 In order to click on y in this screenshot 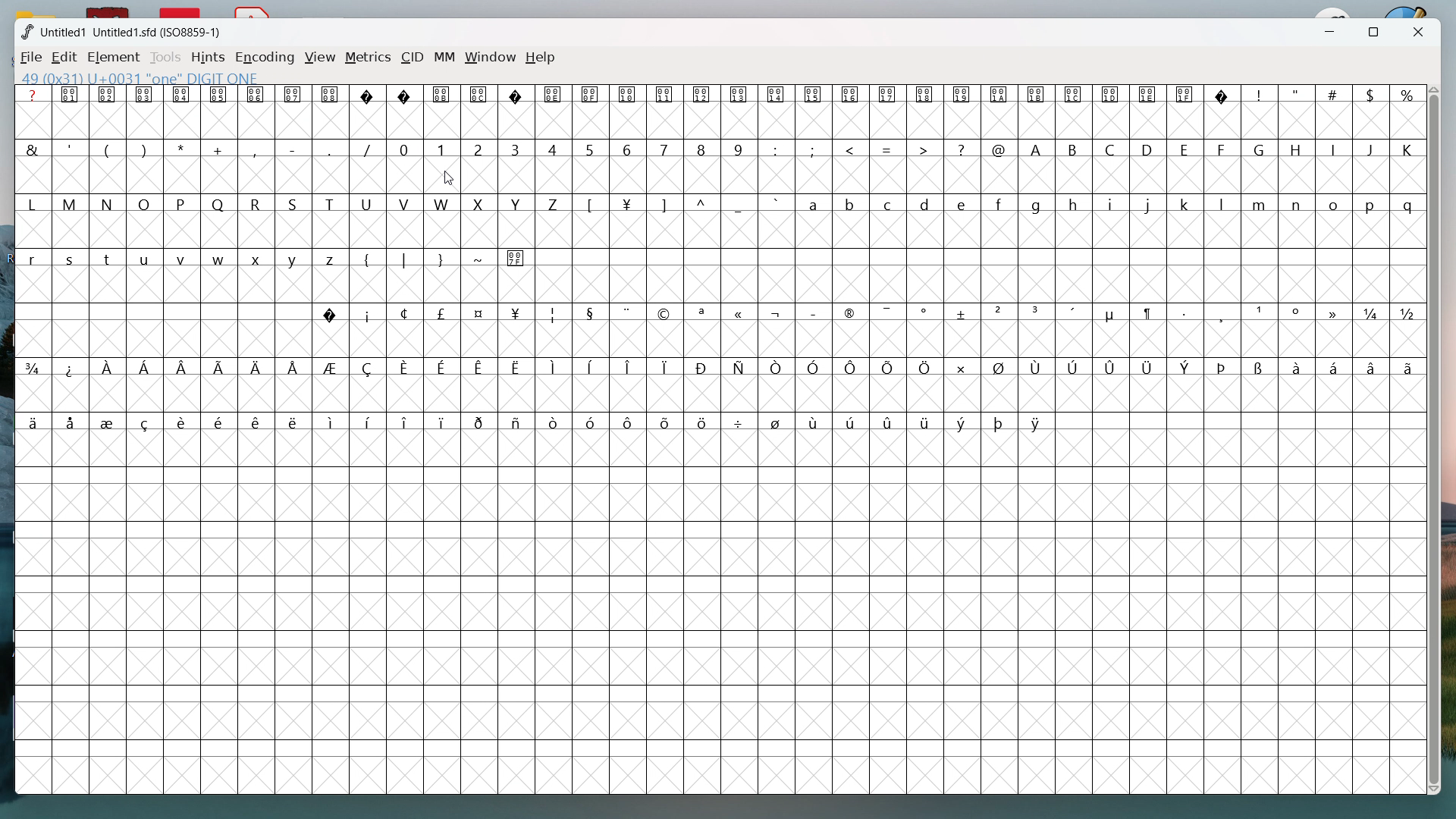, I will do `click(294, 259)`.